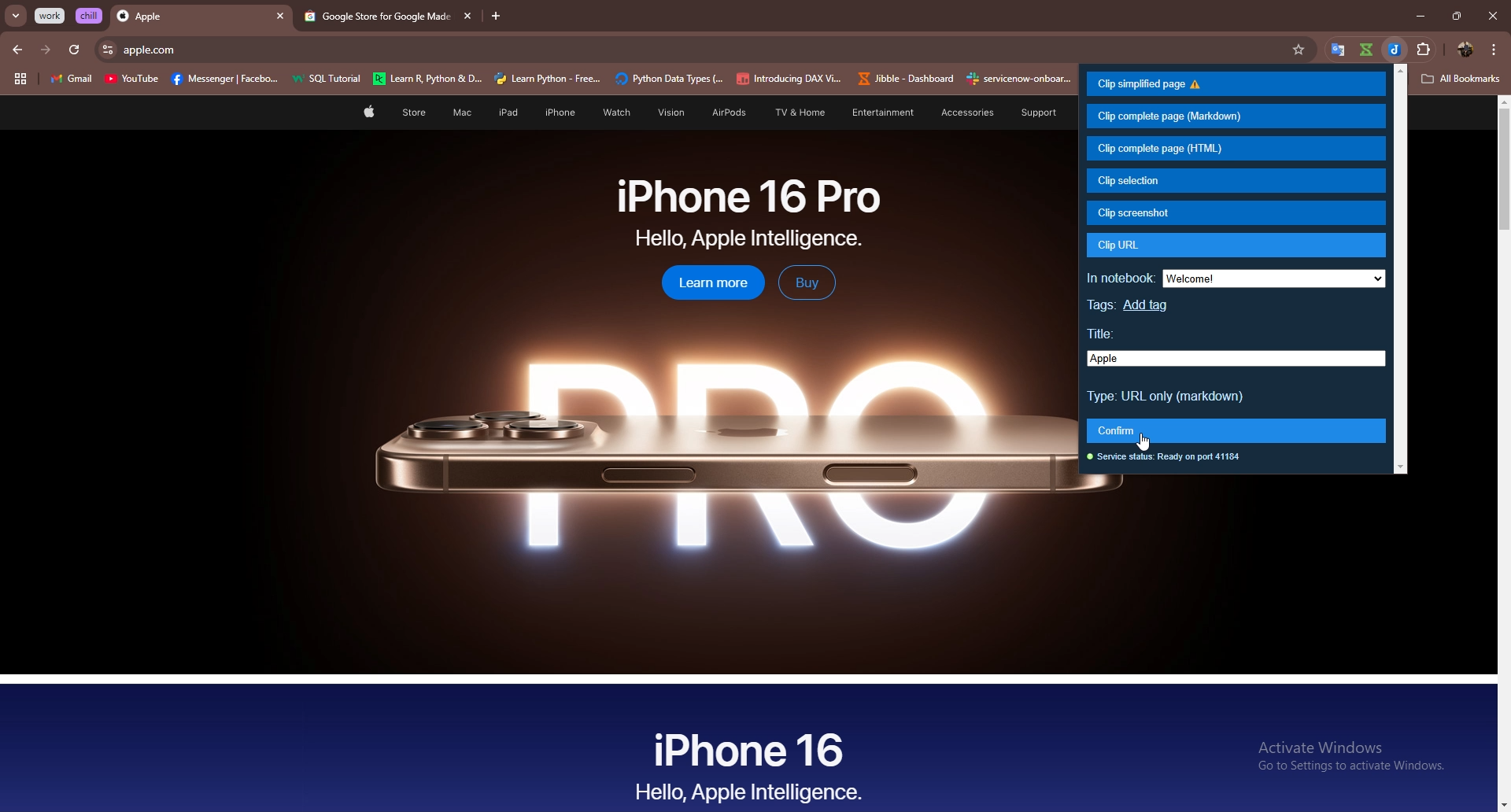 The width and height of the screenshot is (1511, 812). Describe the element at coordinates (797, 113) in the screenshot. I see `TV & Home` at that location.